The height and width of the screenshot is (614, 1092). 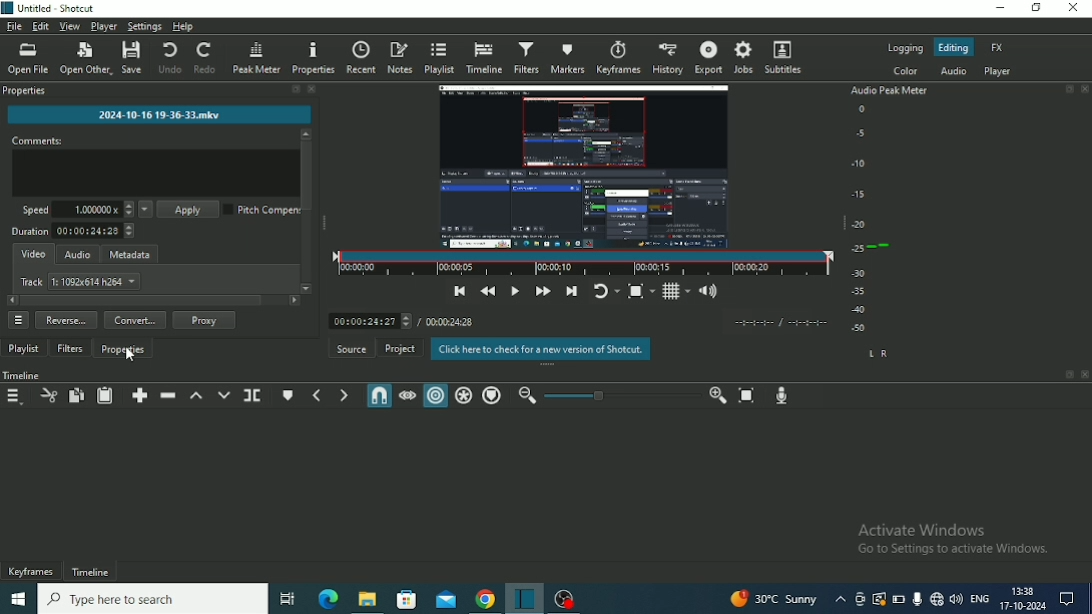 What do you see at coordinates (256, 57) in the screenshot?
I see `Peak Meter` at bounding box center [256, 57].